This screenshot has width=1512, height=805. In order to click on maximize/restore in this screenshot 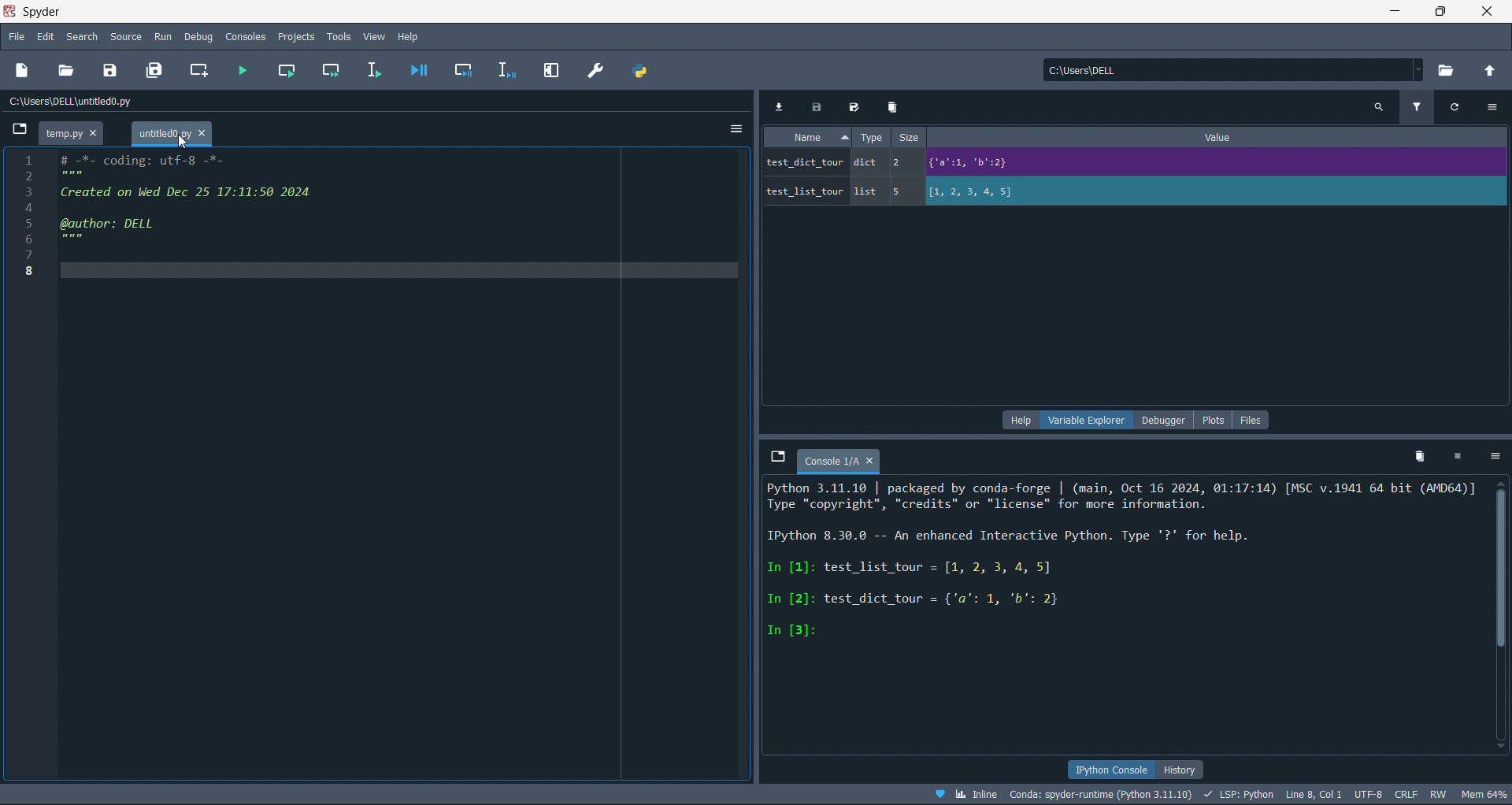, I will do `click(1443, 13)`.